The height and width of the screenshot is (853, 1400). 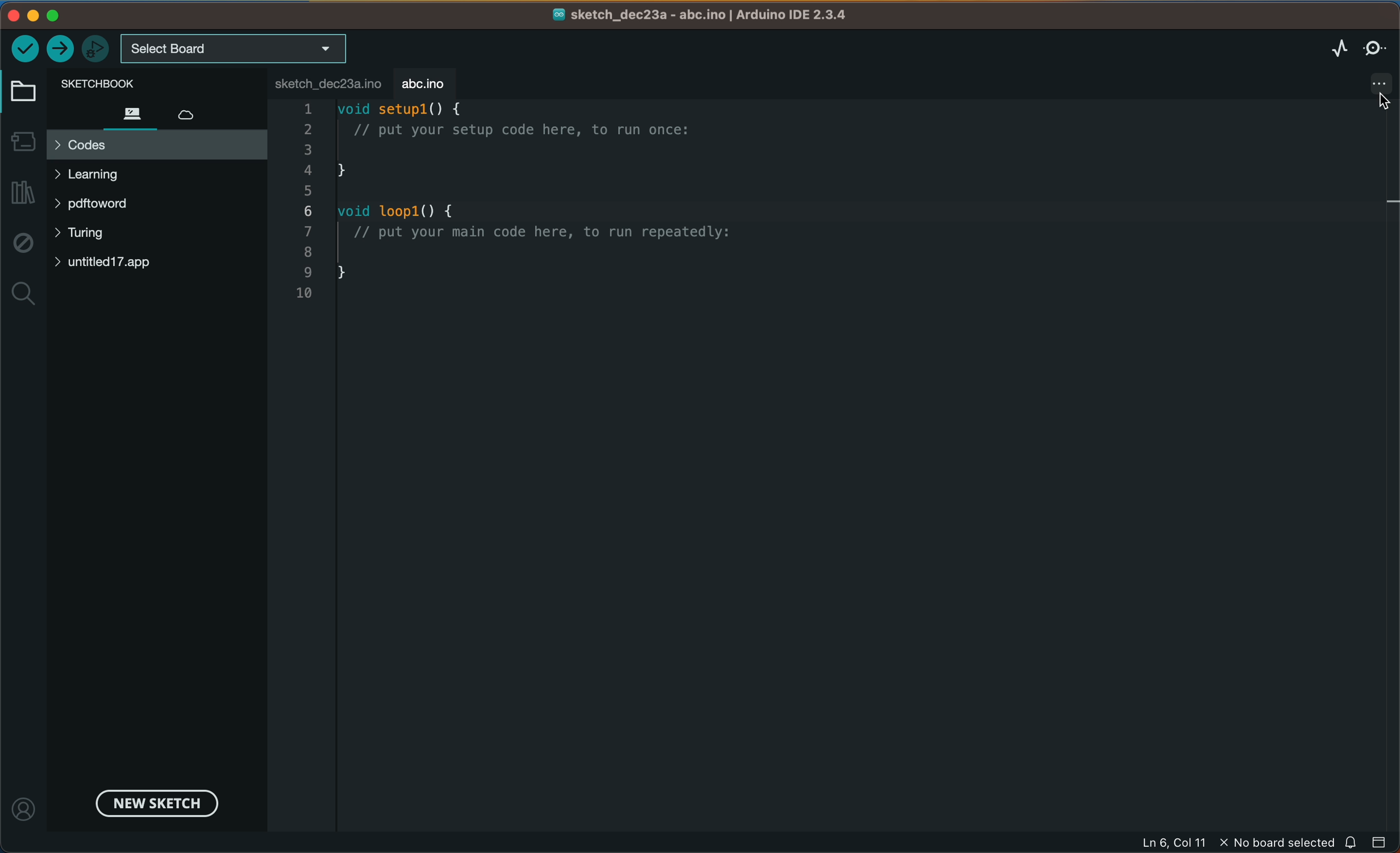 I want to click on verify, so click(x=27, y=49).